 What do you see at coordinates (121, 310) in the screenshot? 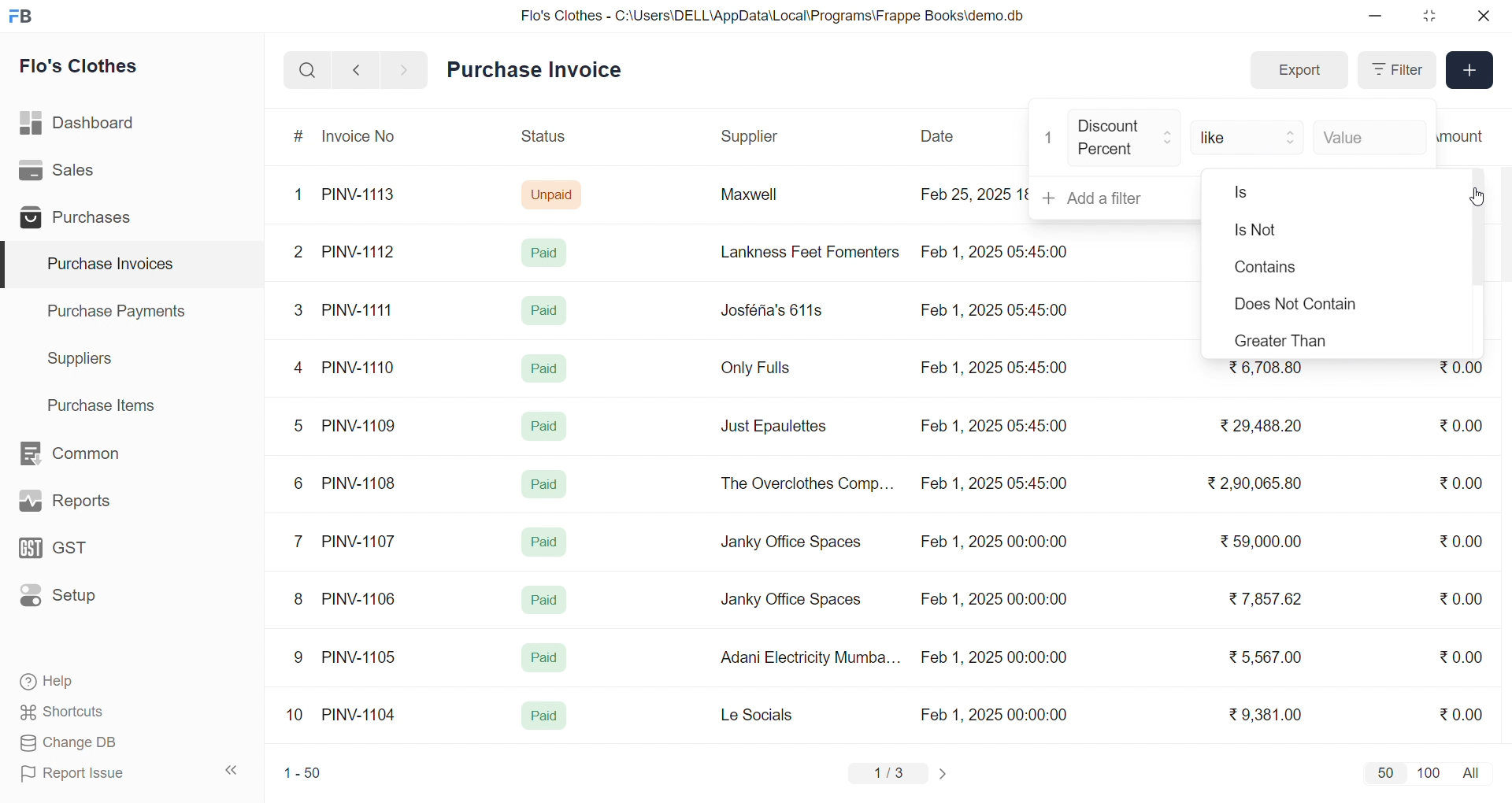
I see `Purchase Payments` at bounding box center [121, 310].